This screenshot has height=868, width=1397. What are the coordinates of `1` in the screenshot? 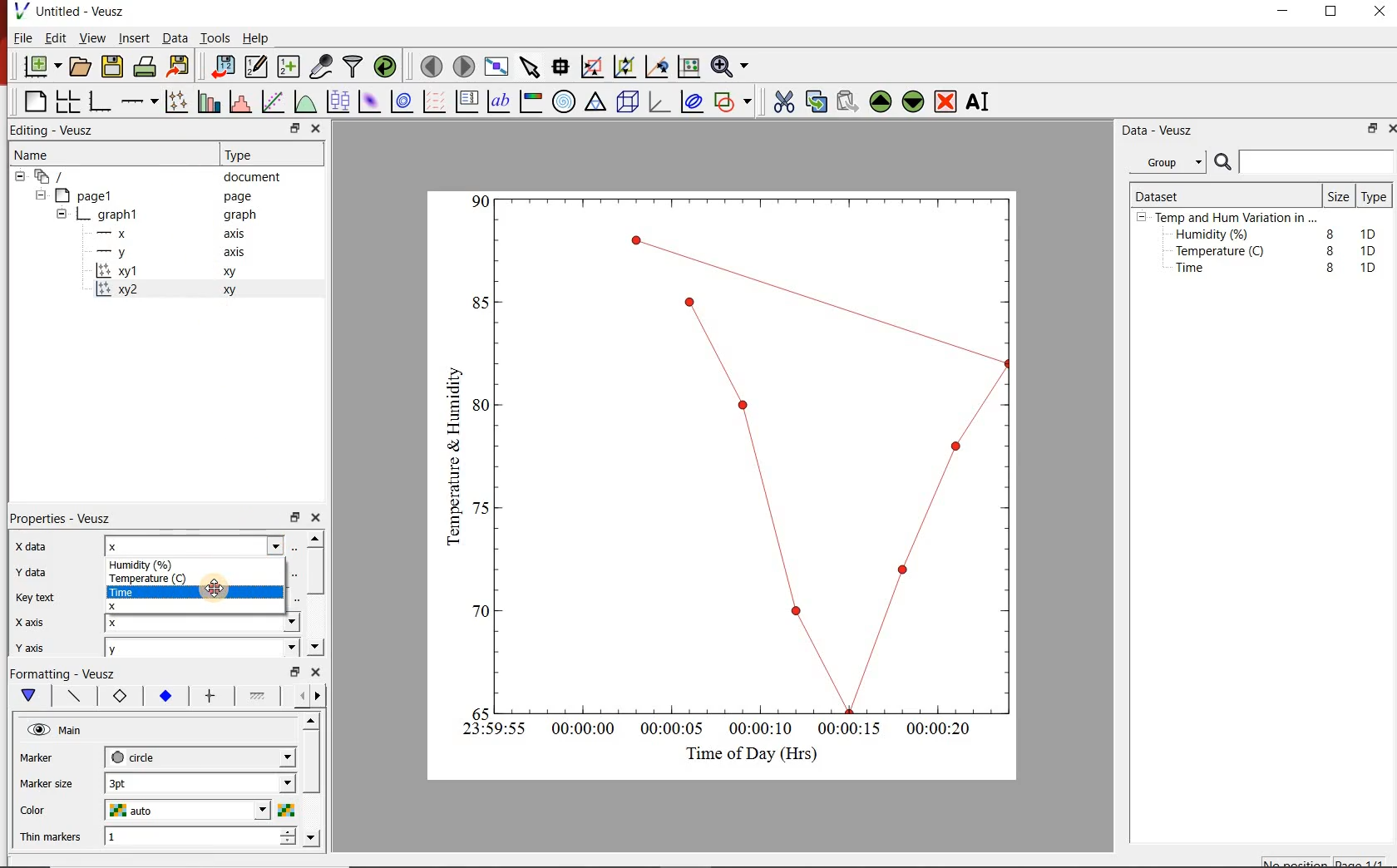 It's located at (160, 838).